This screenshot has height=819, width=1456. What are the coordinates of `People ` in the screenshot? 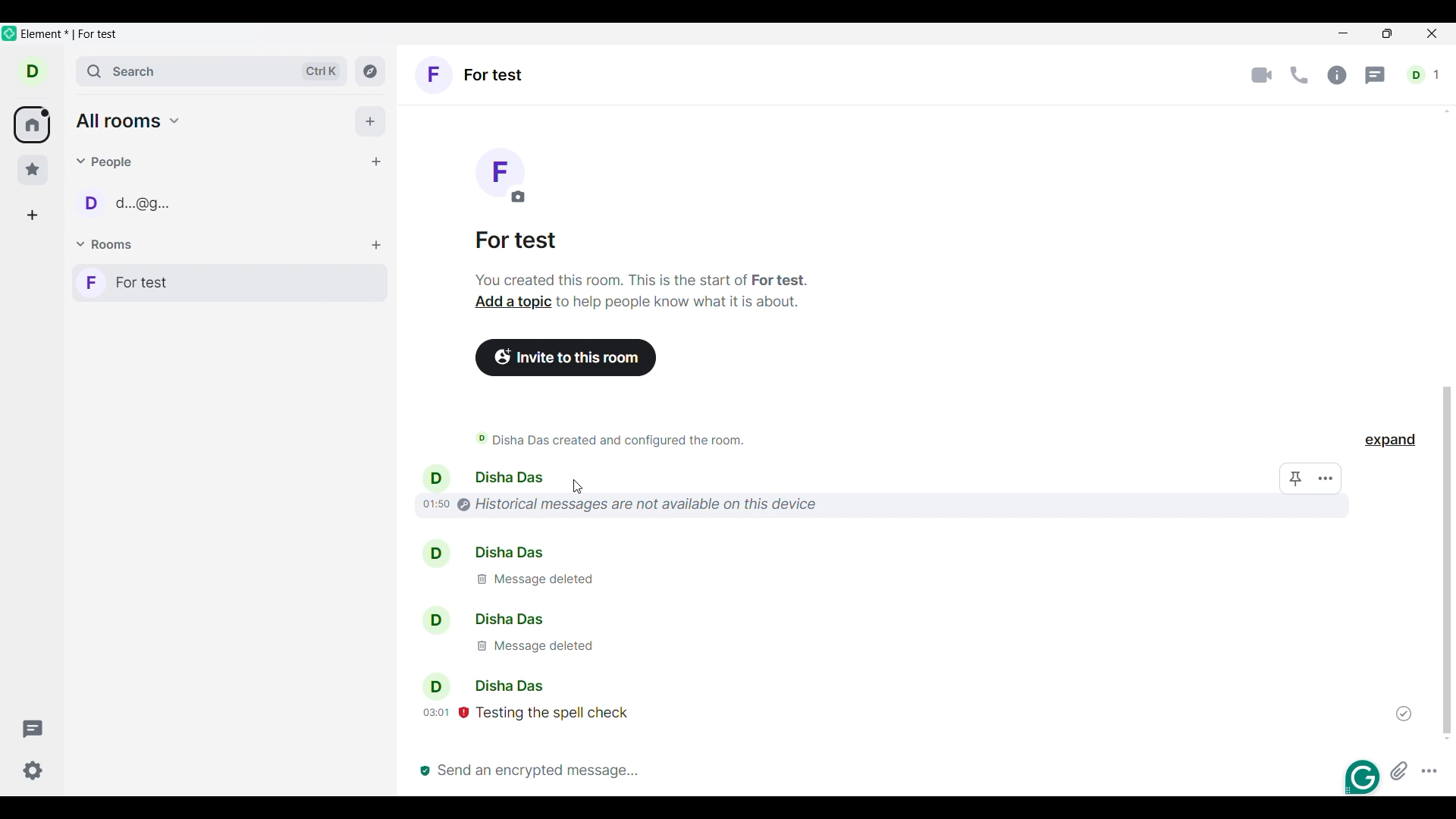 It's located at (107, 162).